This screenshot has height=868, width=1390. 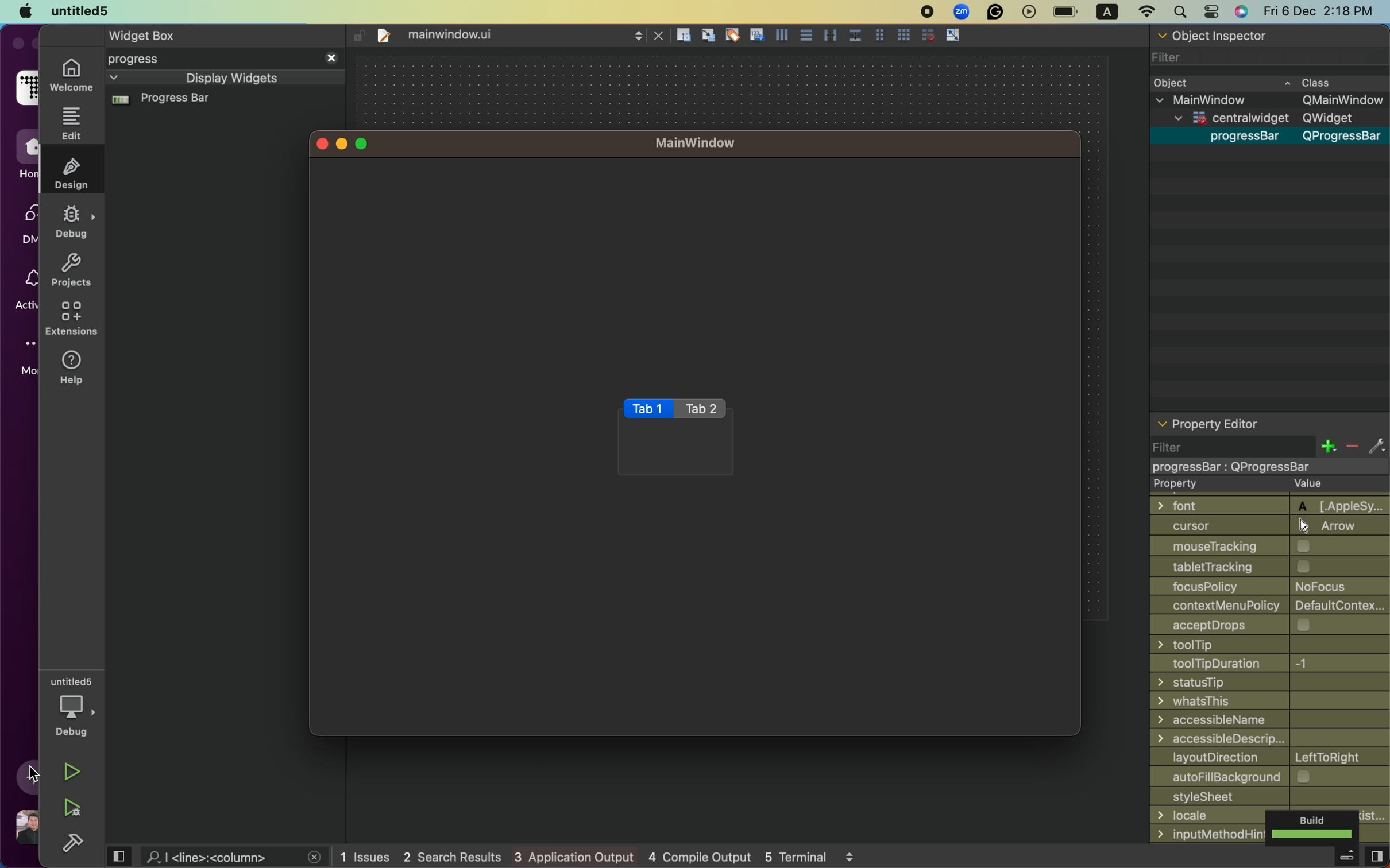 I want to click on Property value, so click(x=1271, y=486).